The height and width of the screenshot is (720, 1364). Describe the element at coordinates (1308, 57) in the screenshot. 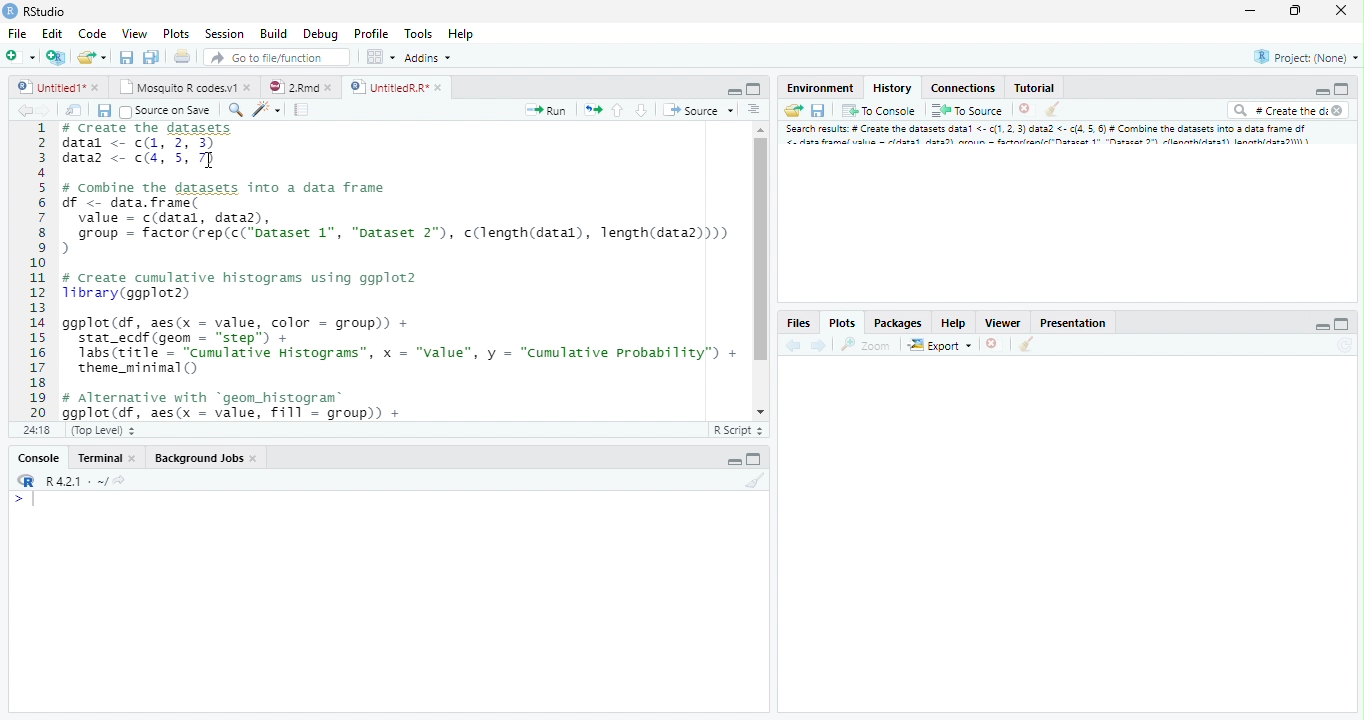

I see `Project (None)` at that location.